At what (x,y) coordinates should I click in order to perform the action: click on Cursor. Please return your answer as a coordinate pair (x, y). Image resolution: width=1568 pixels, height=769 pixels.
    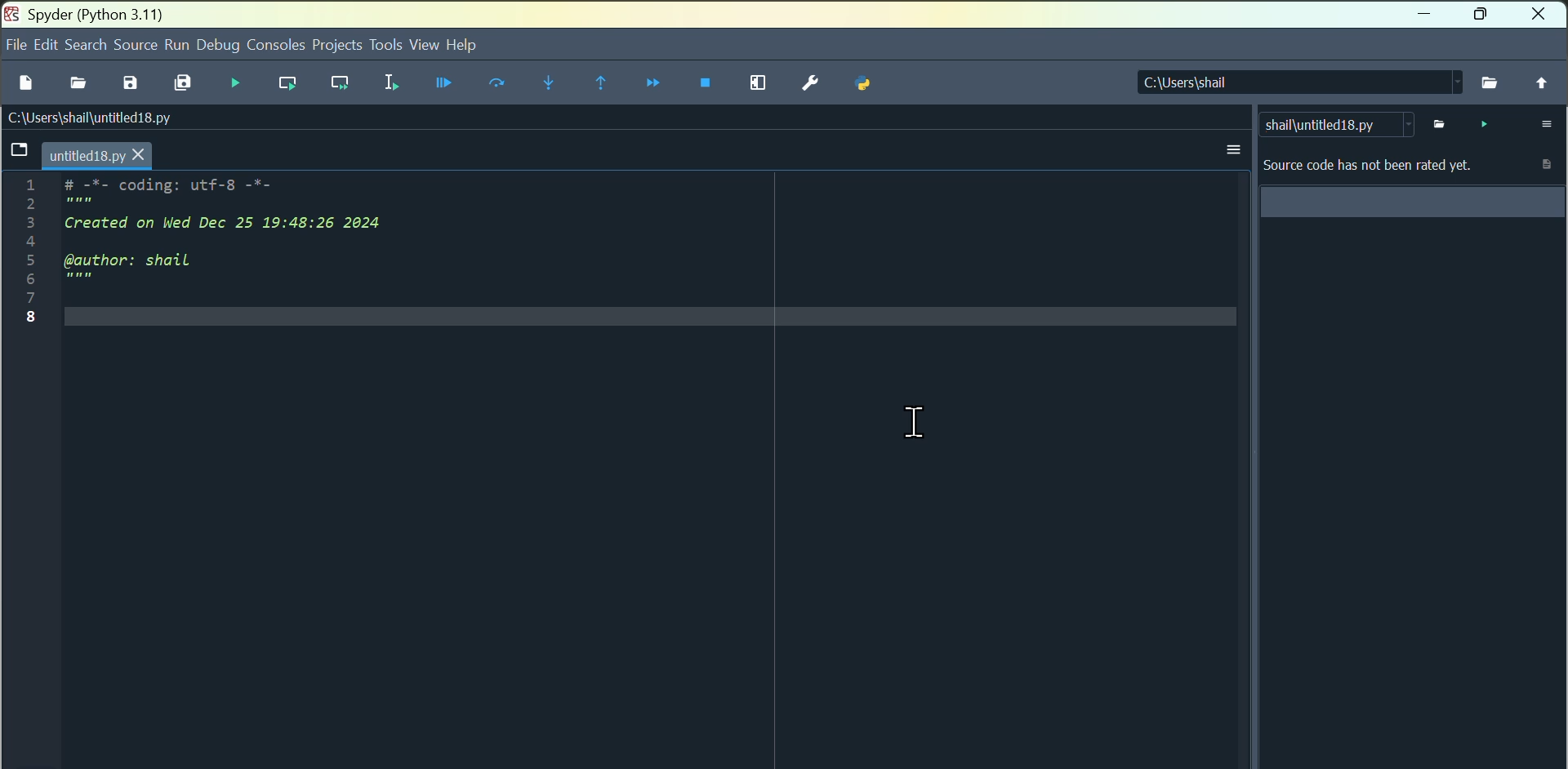
    Looking at the image, I should click on (915, 421).